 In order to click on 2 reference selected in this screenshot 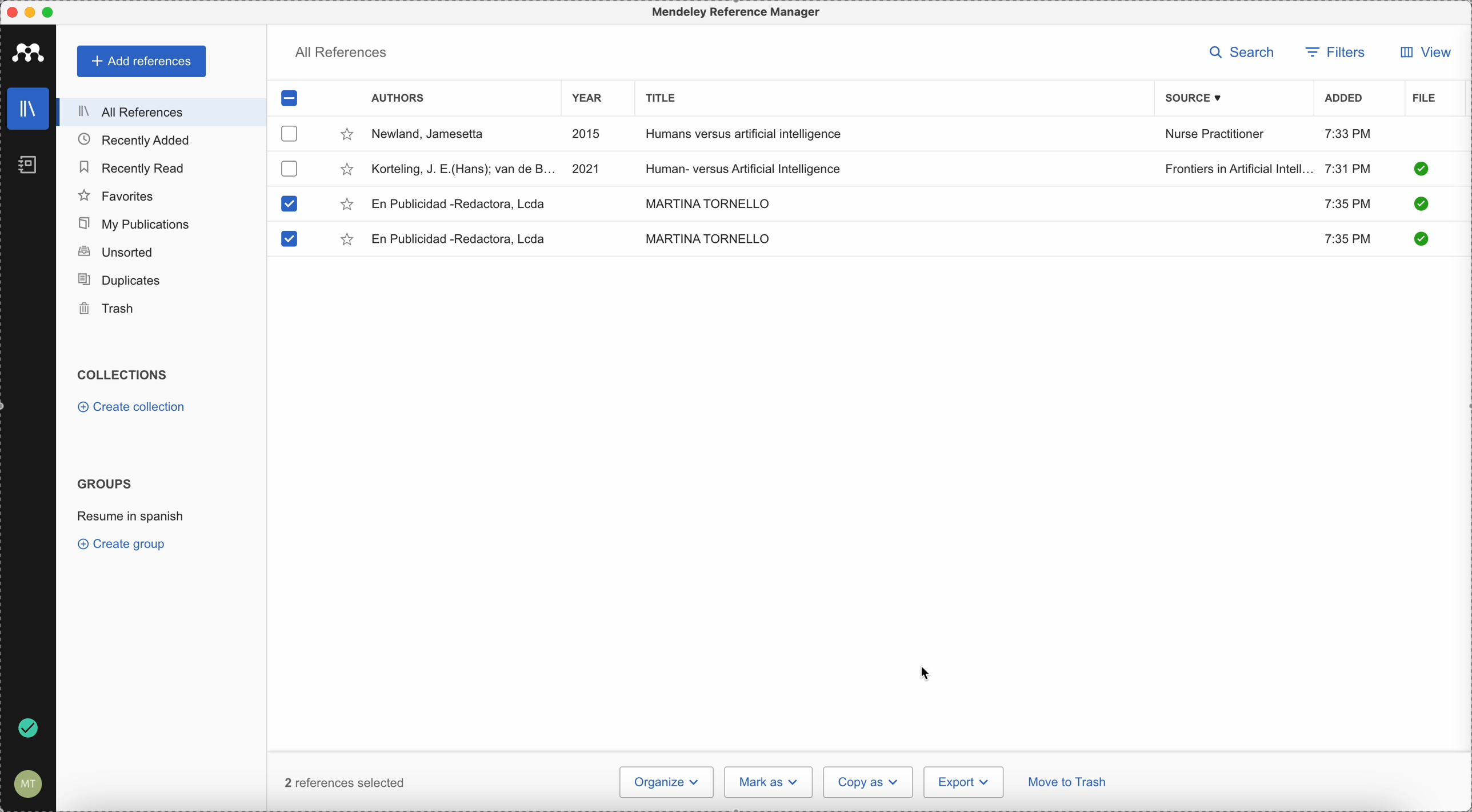, I will do `click(345, 782)`.